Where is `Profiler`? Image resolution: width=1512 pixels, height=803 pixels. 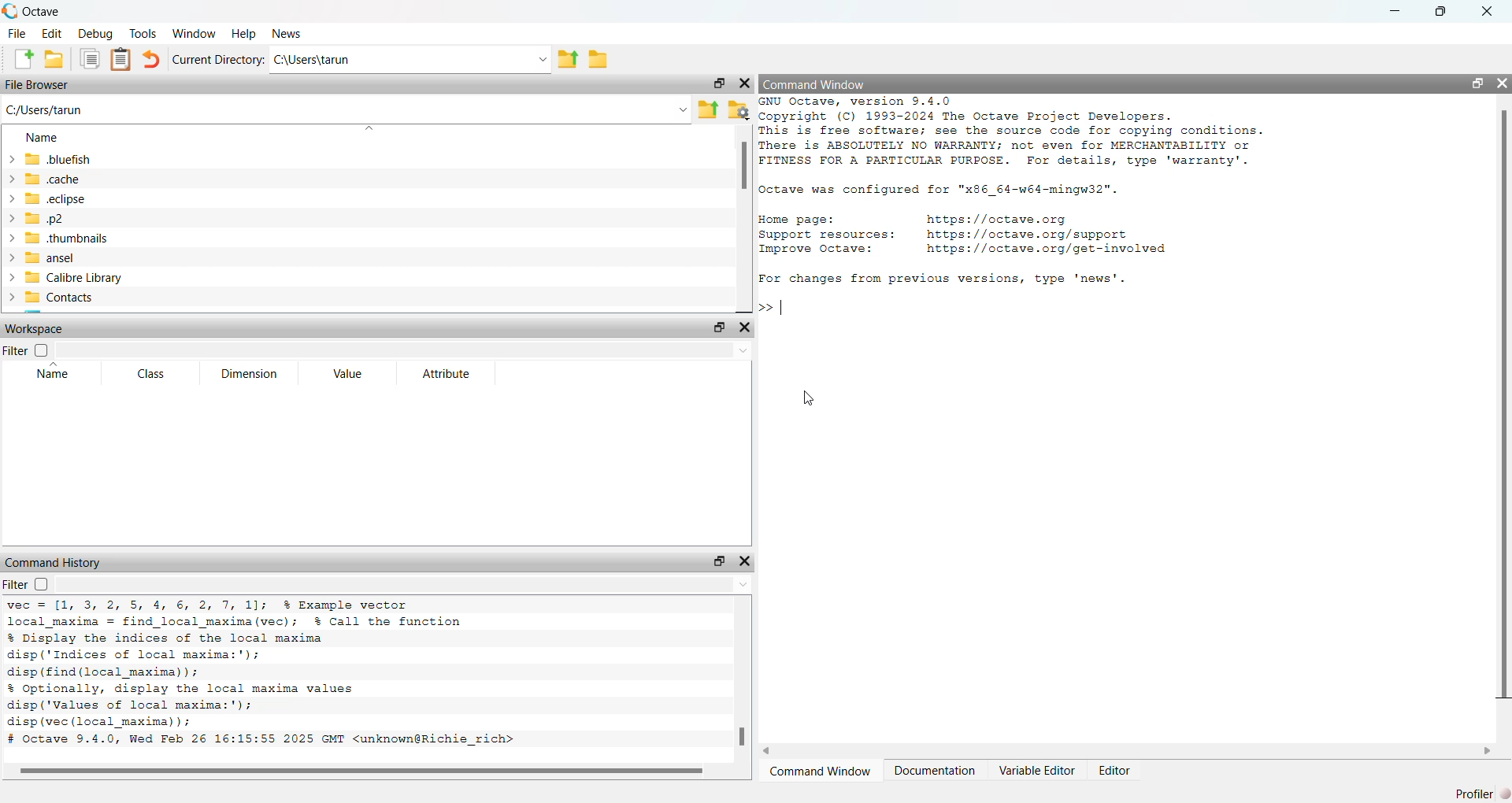 Profiler is located at coordinates (1475, 793).